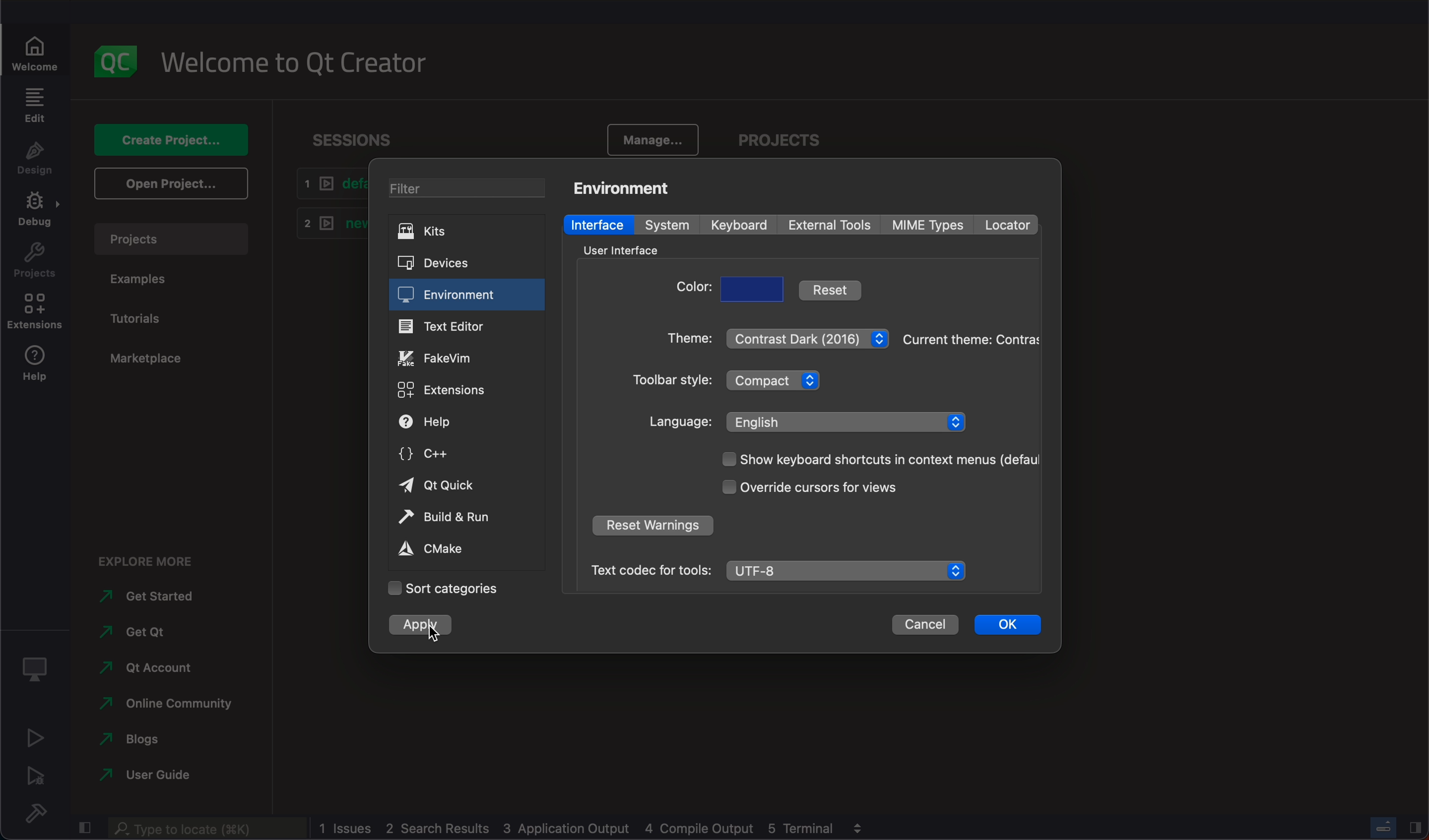 The height and width of the screenshot is (840, 1429). Describe the element at coordinates (772, 379) in the screenshot. I see `toolbar style menu` at that location.